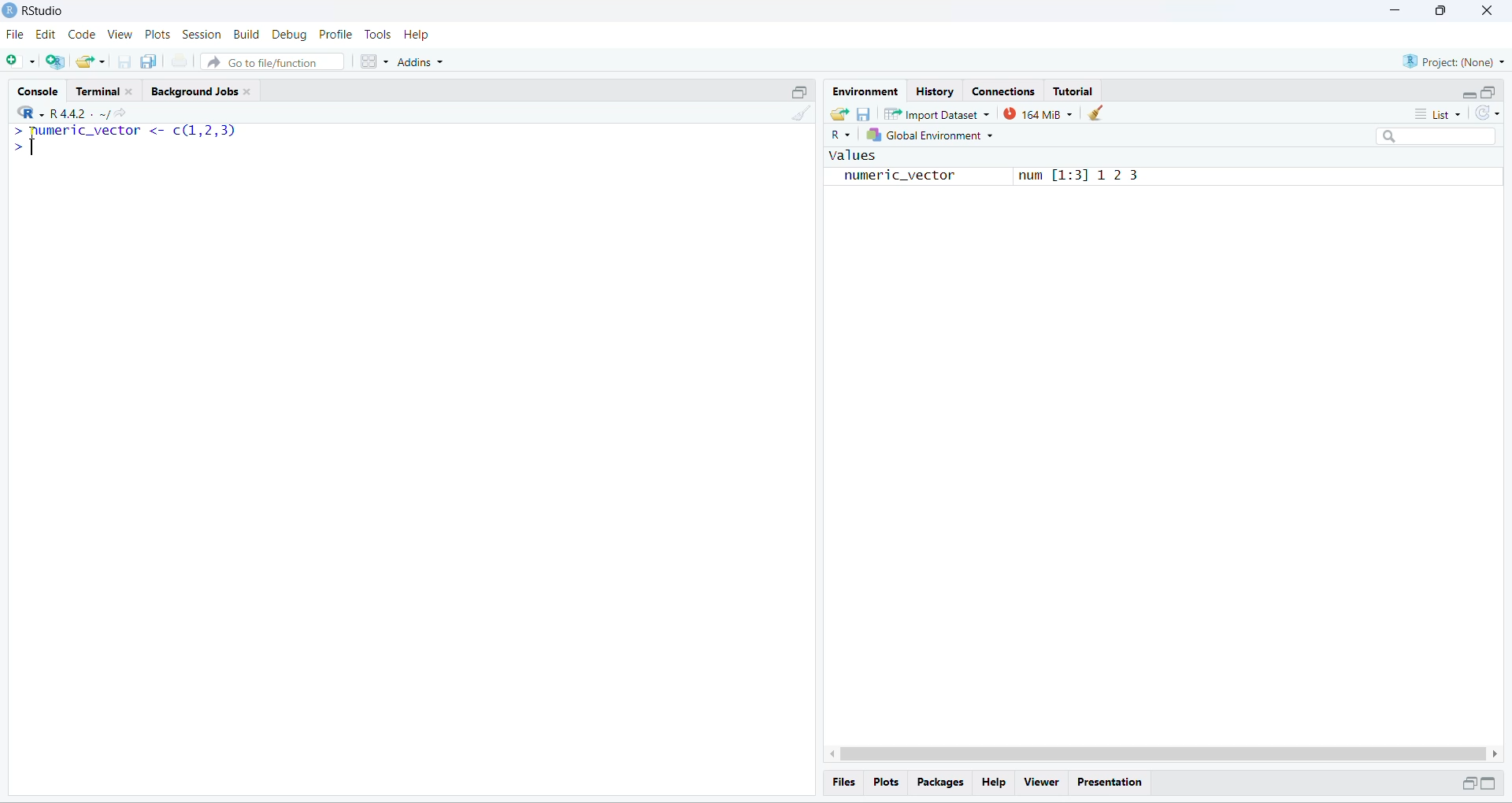 The width and height of the screenshot is (1512, 803). Describe the element at coordinates (839, 135) in the screenshot. I see `R` at that location.